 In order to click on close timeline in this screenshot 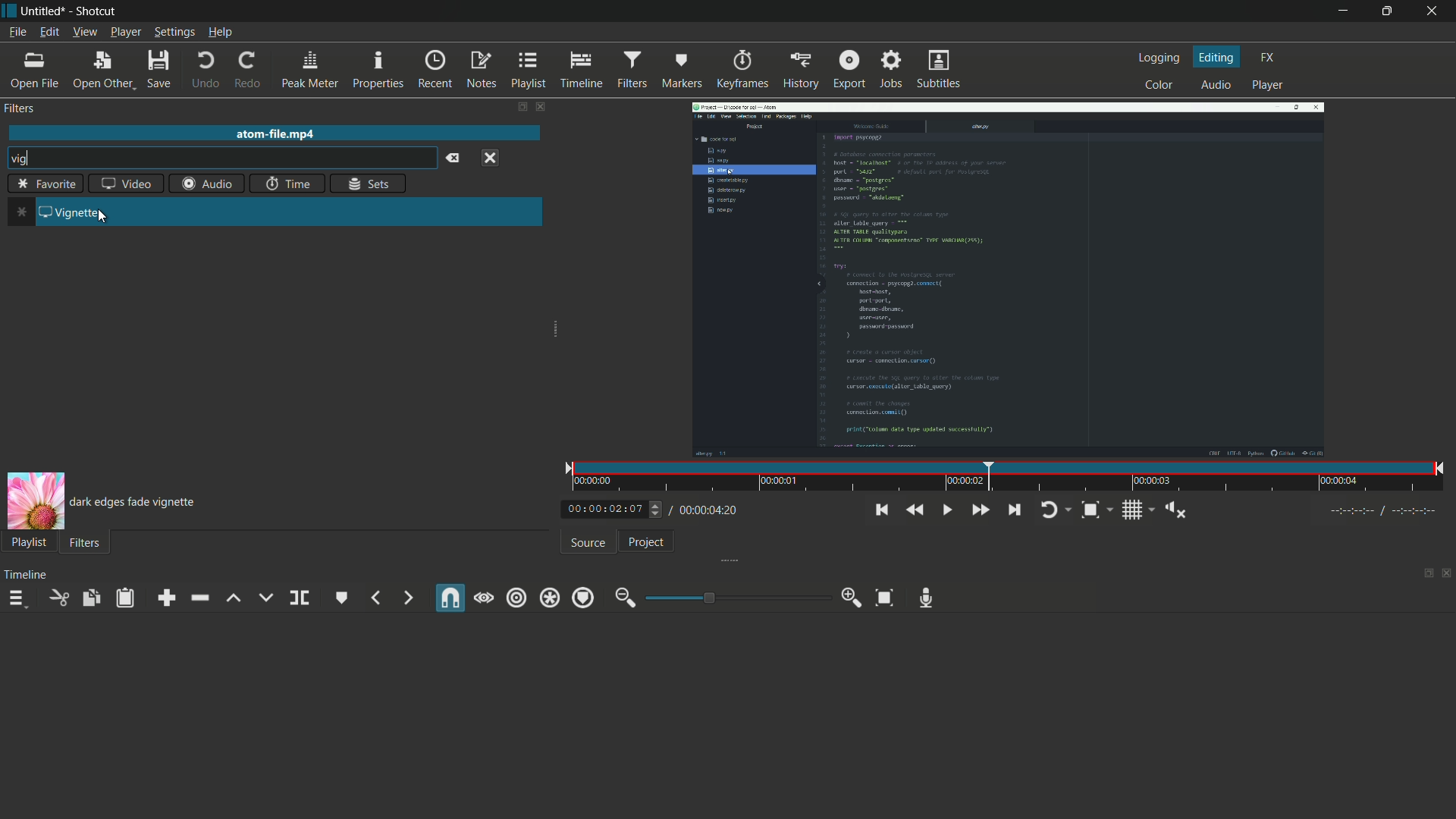, I will do `click(1447, 575)`.